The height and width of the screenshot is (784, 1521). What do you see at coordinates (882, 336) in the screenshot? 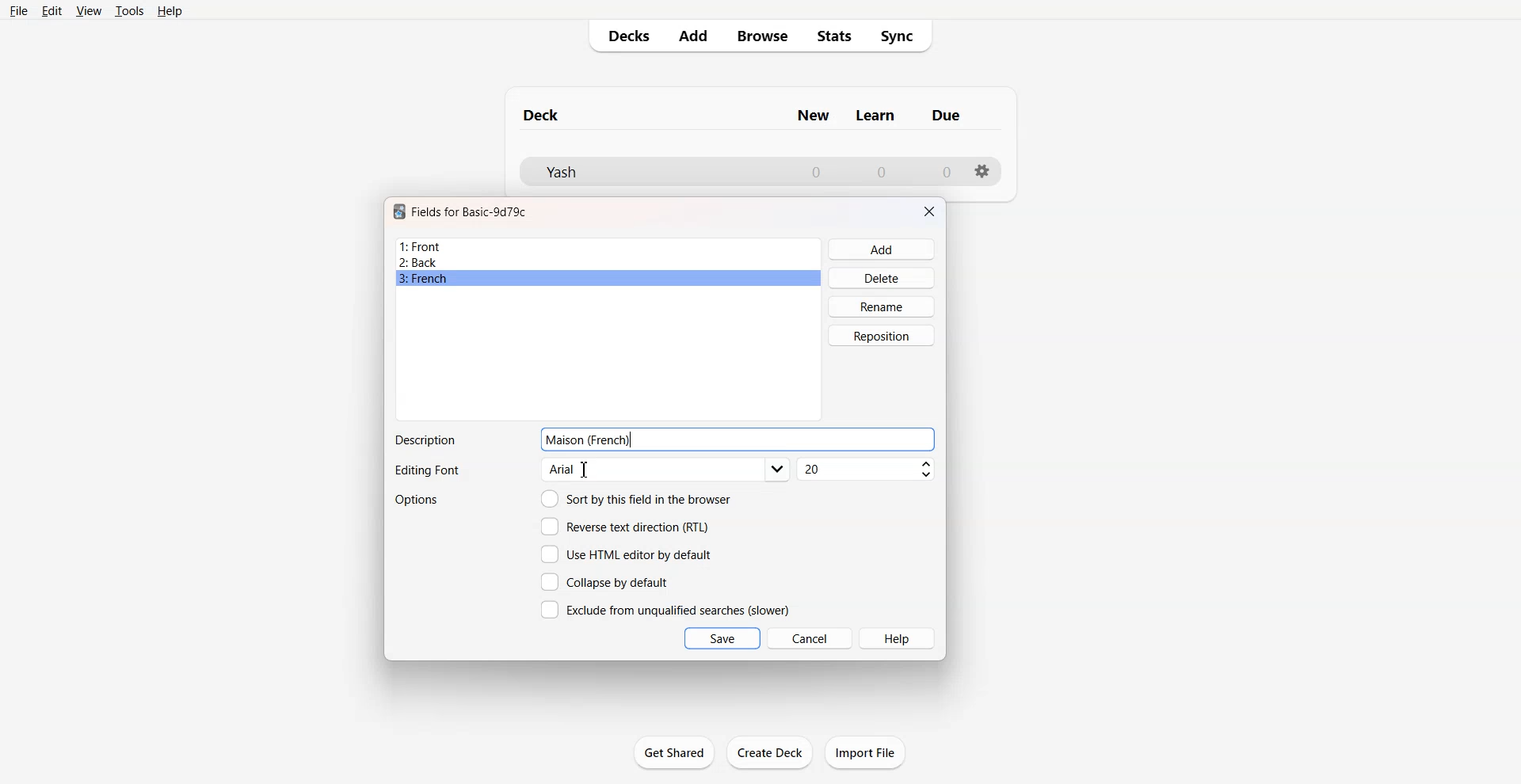
I see `Reposition` at bounding box center [882, 336].